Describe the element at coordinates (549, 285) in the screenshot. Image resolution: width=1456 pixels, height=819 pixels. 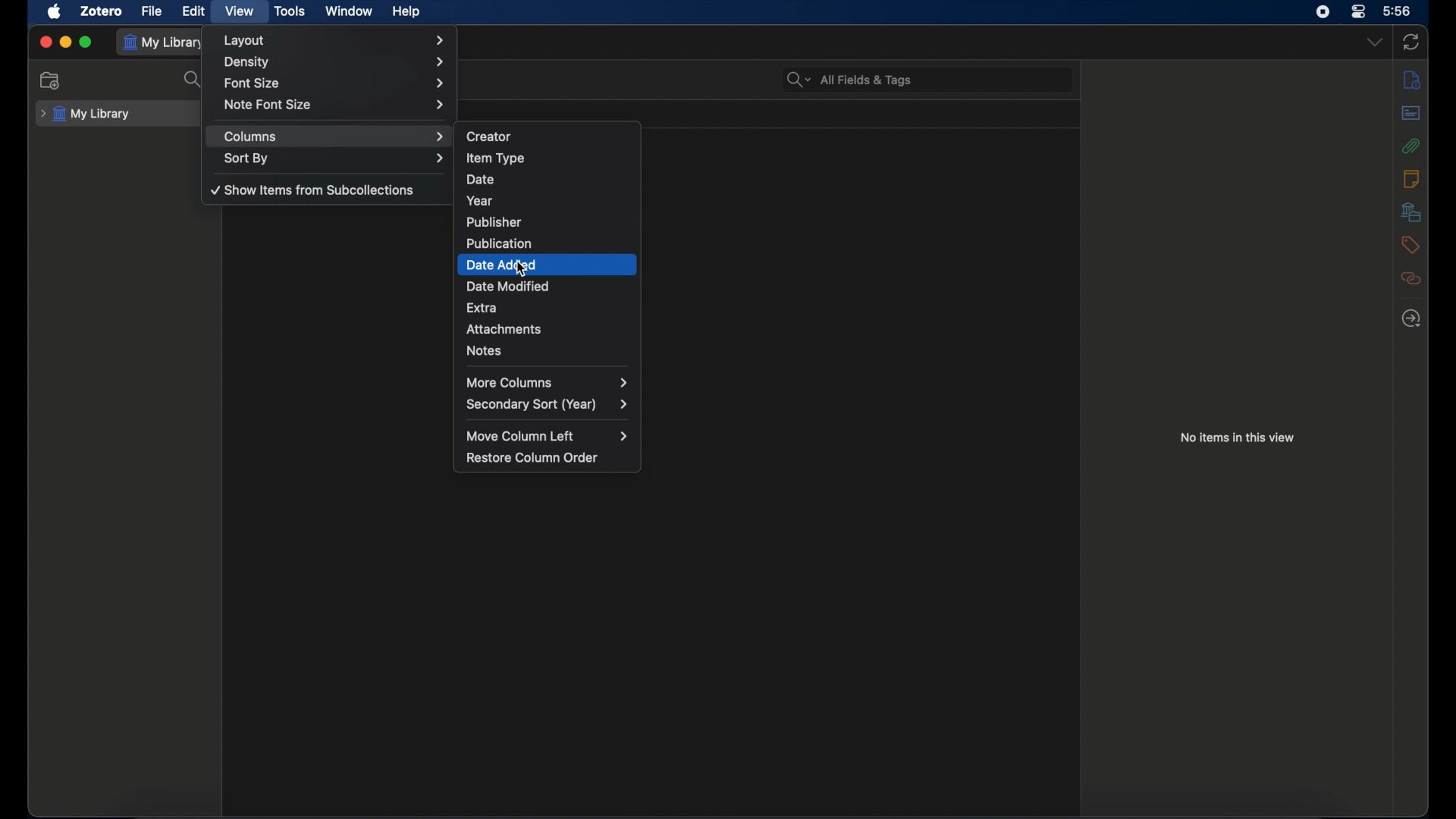
I see `date modified` at that location.